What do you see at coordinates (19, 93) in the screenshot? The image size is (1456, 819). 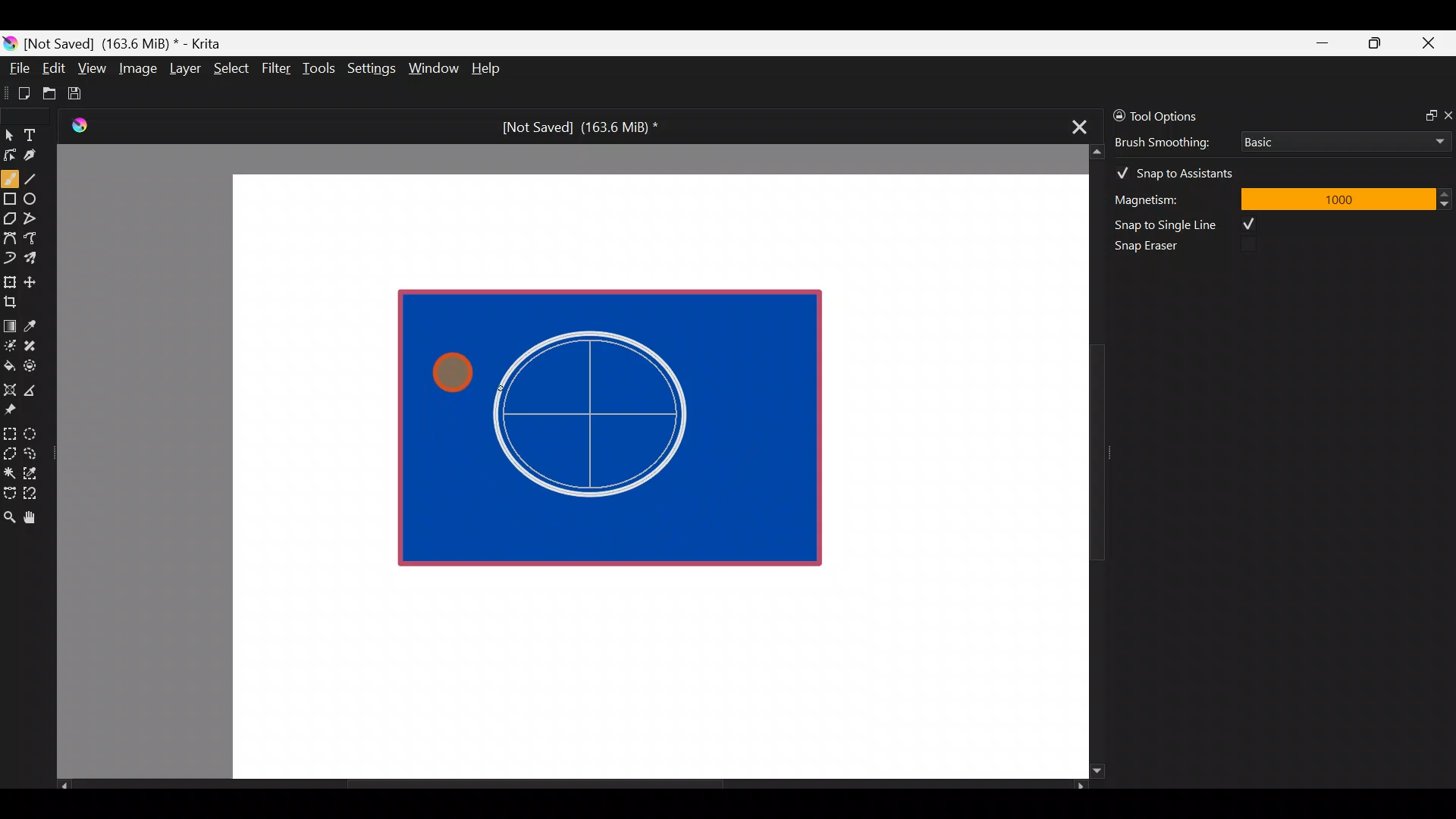 I see `Create new document` at bounding box center [19, 93].